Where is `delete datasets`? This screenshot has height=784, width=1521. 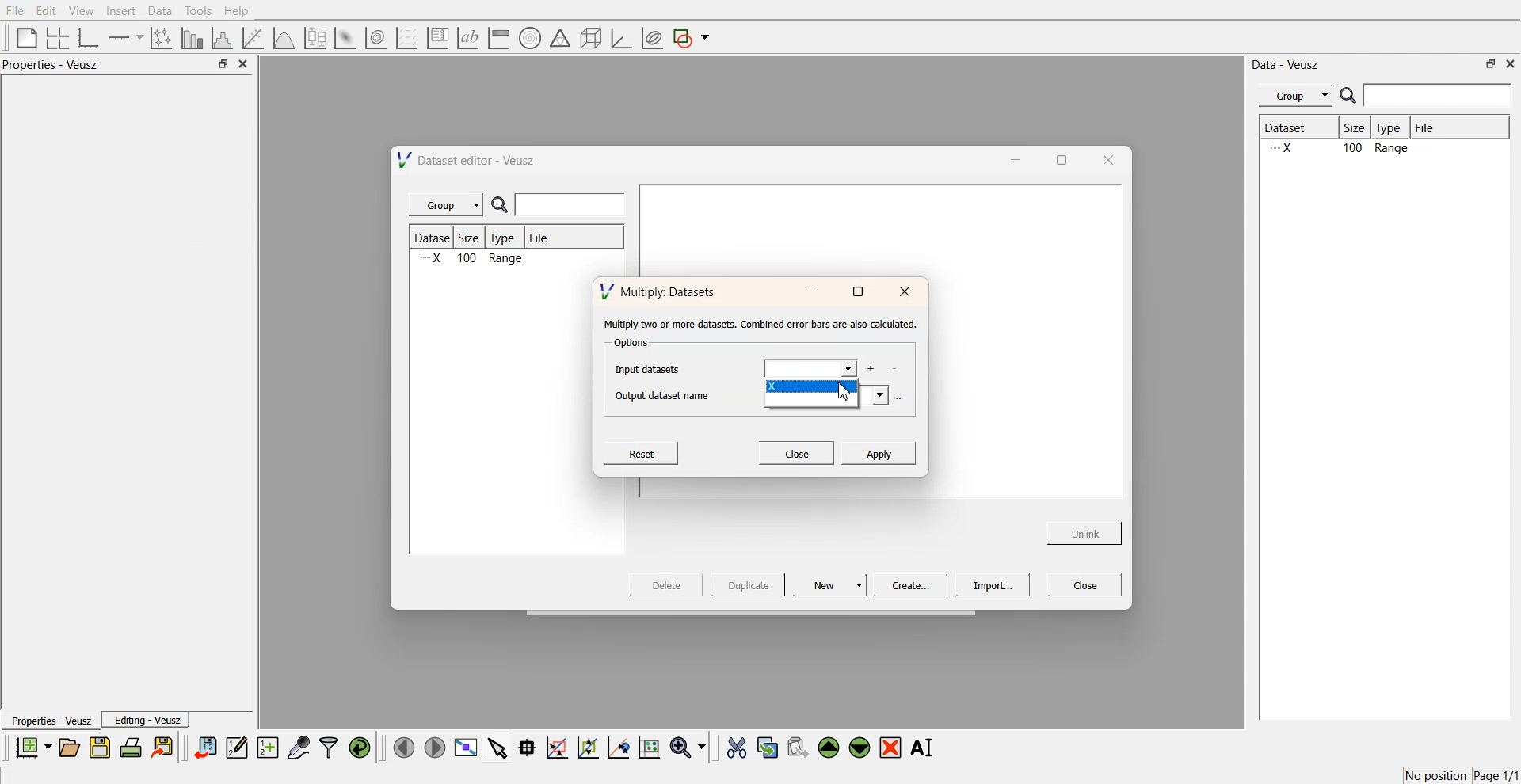 delete datasets is located at coordinates (894, 370).